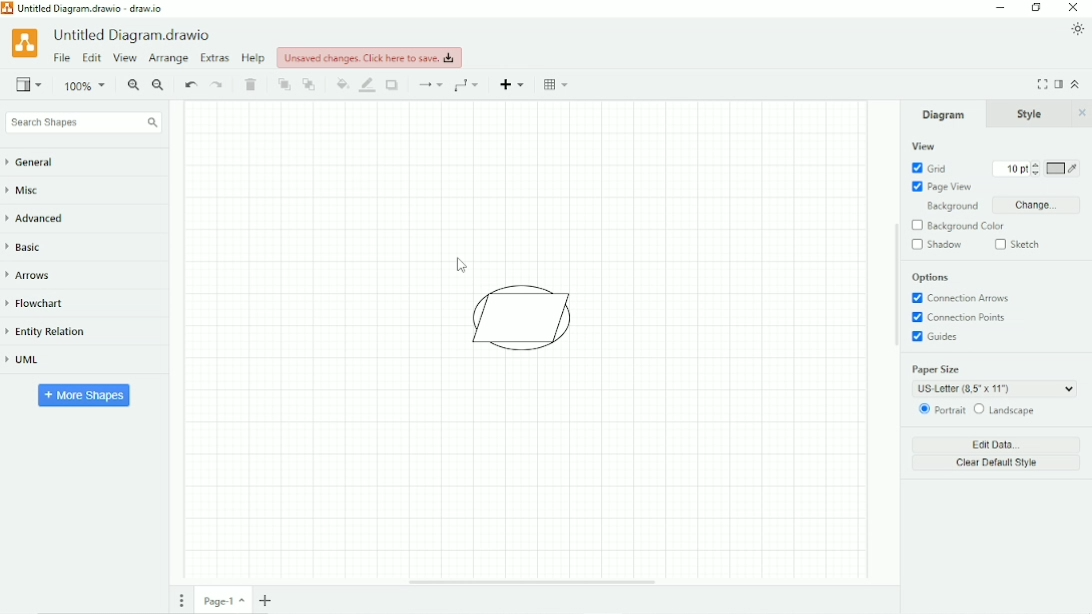  Describe the element at coordinates (938, 338) in the screenshot. I see `Guides` at that location.